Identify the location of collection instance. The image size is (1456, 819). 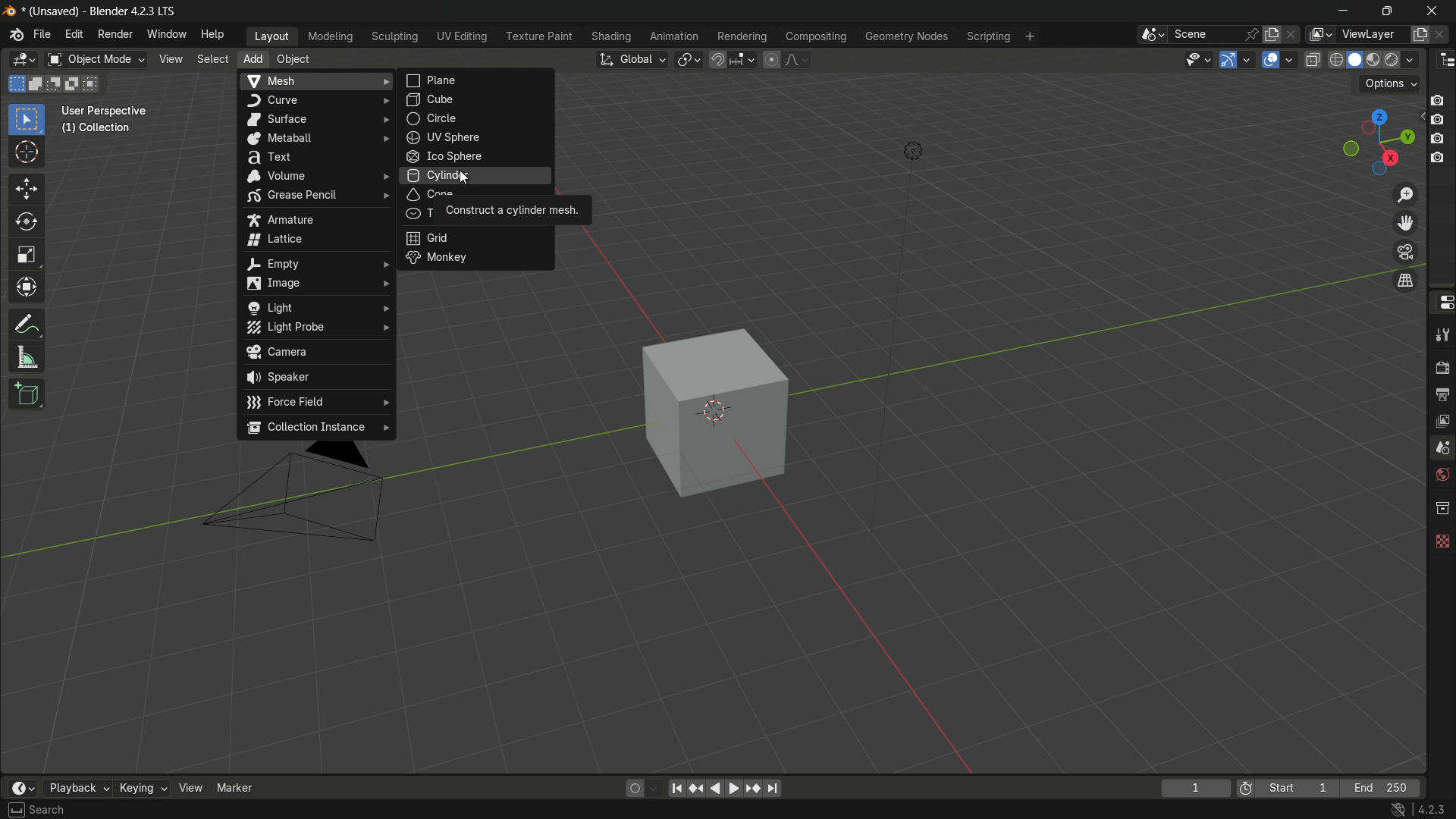
(317, 429).